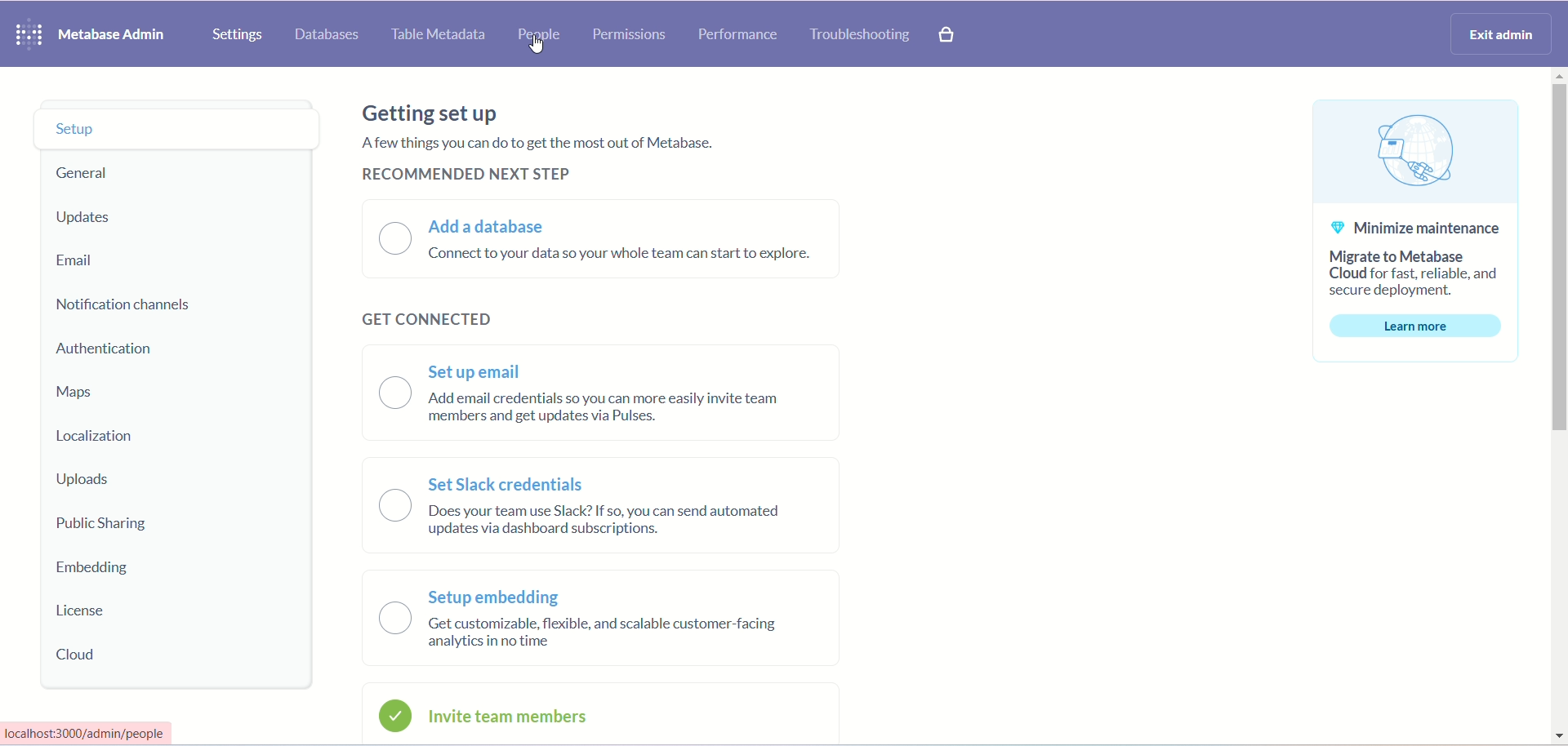 This screenshot has height=746, width=1568. Describe the element at coordinates (1497, 34) in the screenshot. I see `exit admin` at that location.